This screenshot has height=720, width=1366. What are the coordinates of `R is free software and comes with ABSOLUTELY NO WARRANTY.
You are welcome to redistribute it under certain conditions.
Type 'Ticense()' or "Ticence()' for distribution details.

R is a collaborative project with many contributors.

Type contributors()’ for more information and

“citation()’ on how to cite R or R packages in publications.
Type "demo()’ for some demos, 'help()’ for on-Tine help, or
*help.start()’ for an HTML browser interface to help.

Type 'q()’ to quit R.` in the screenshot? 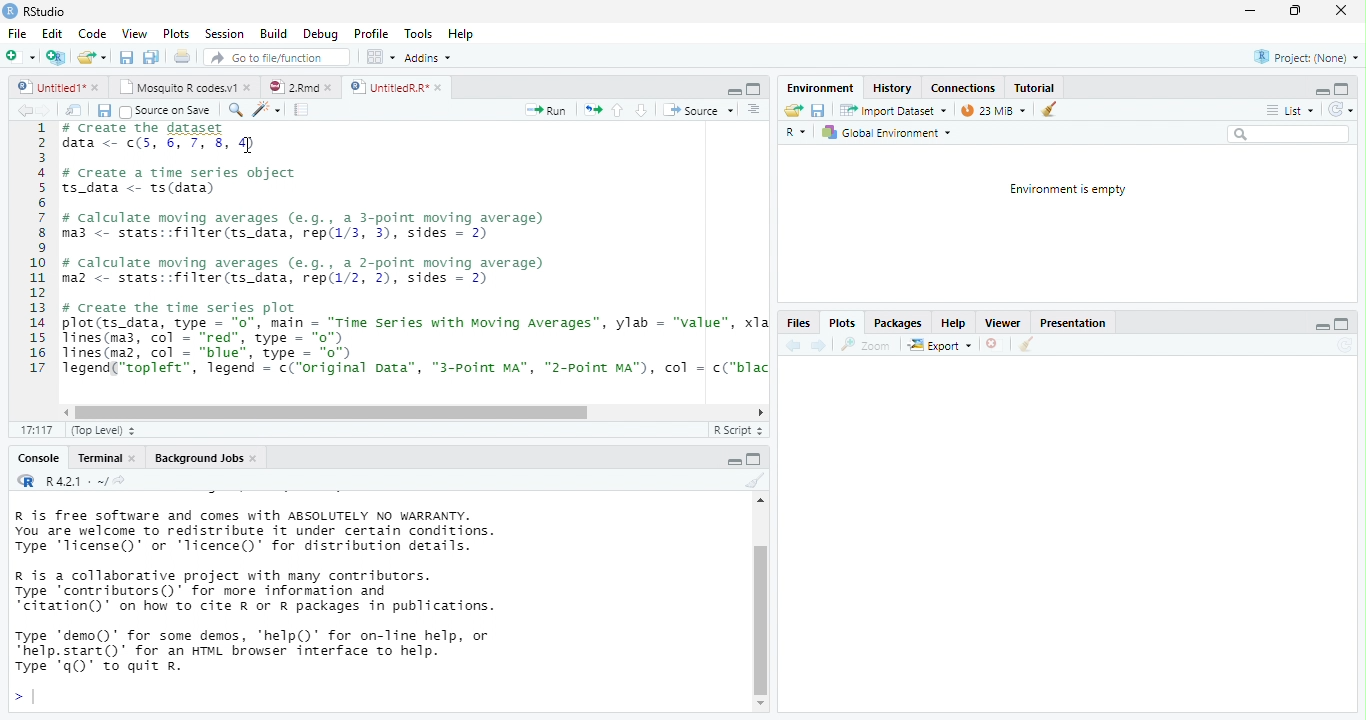 It's located at (340, 591).